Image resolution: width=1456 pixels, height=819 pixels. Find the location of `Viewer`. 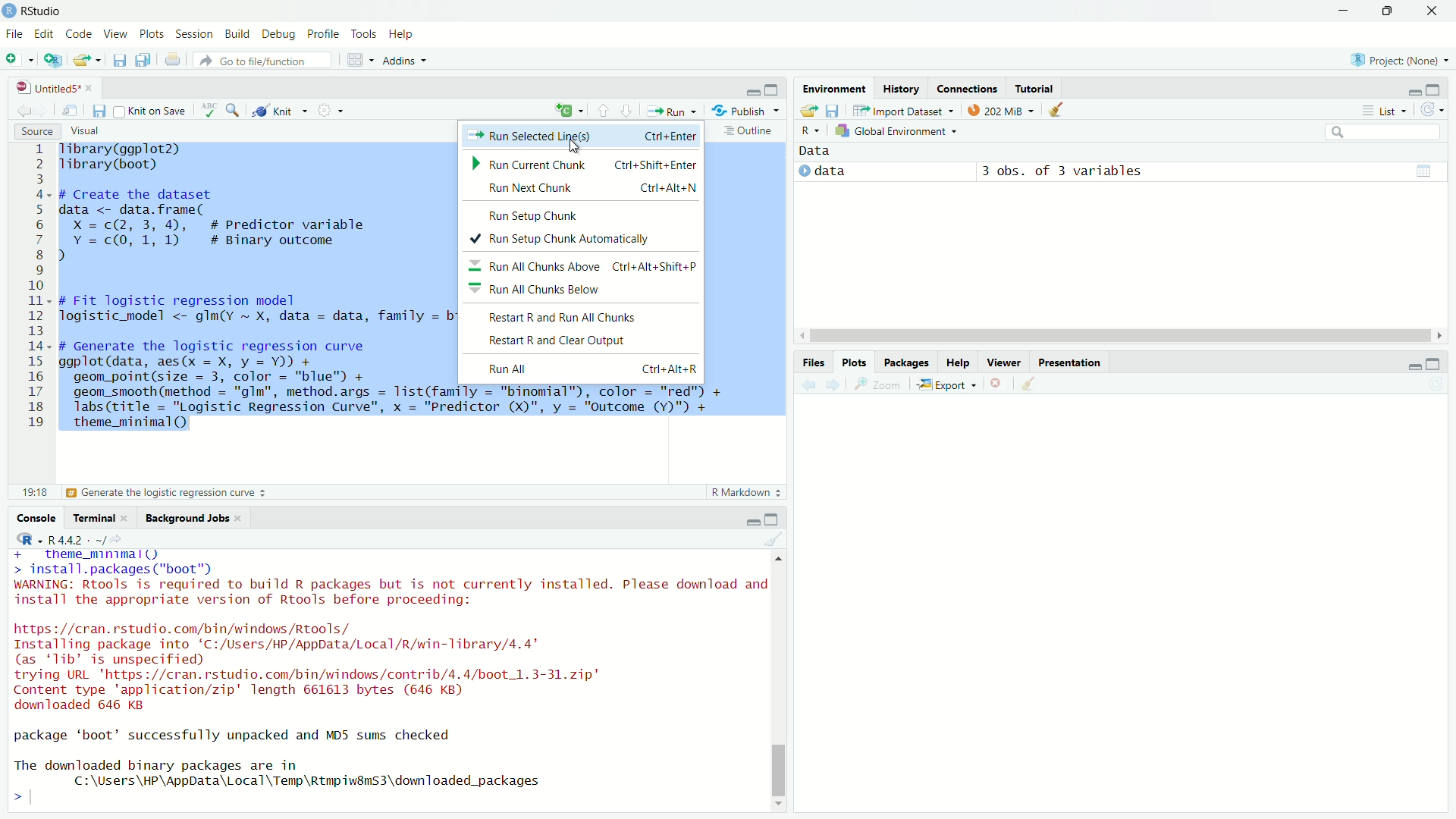

Viewer is located at coordinates (1004, 361).